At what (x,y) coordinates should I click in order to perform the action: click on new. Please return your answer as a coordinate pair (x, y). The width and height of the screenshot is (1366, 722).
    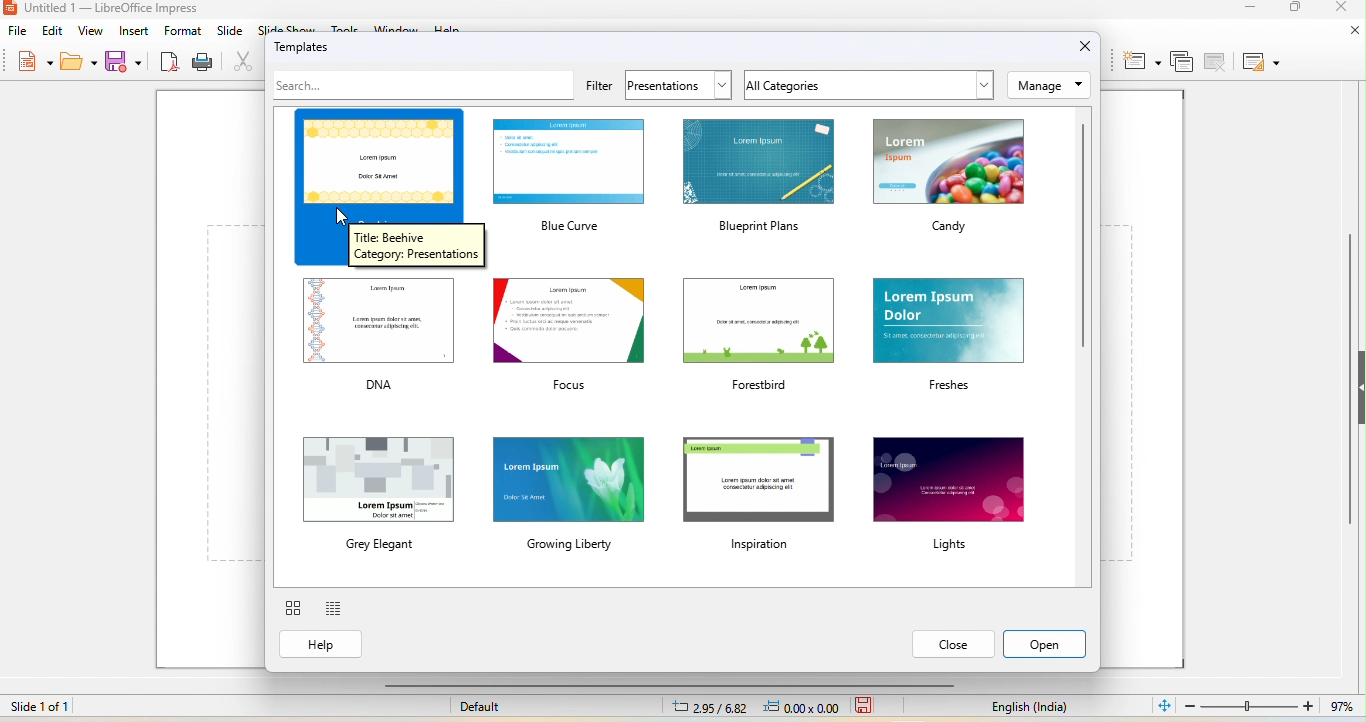
    Looking at the image, I should click on (36, 59).